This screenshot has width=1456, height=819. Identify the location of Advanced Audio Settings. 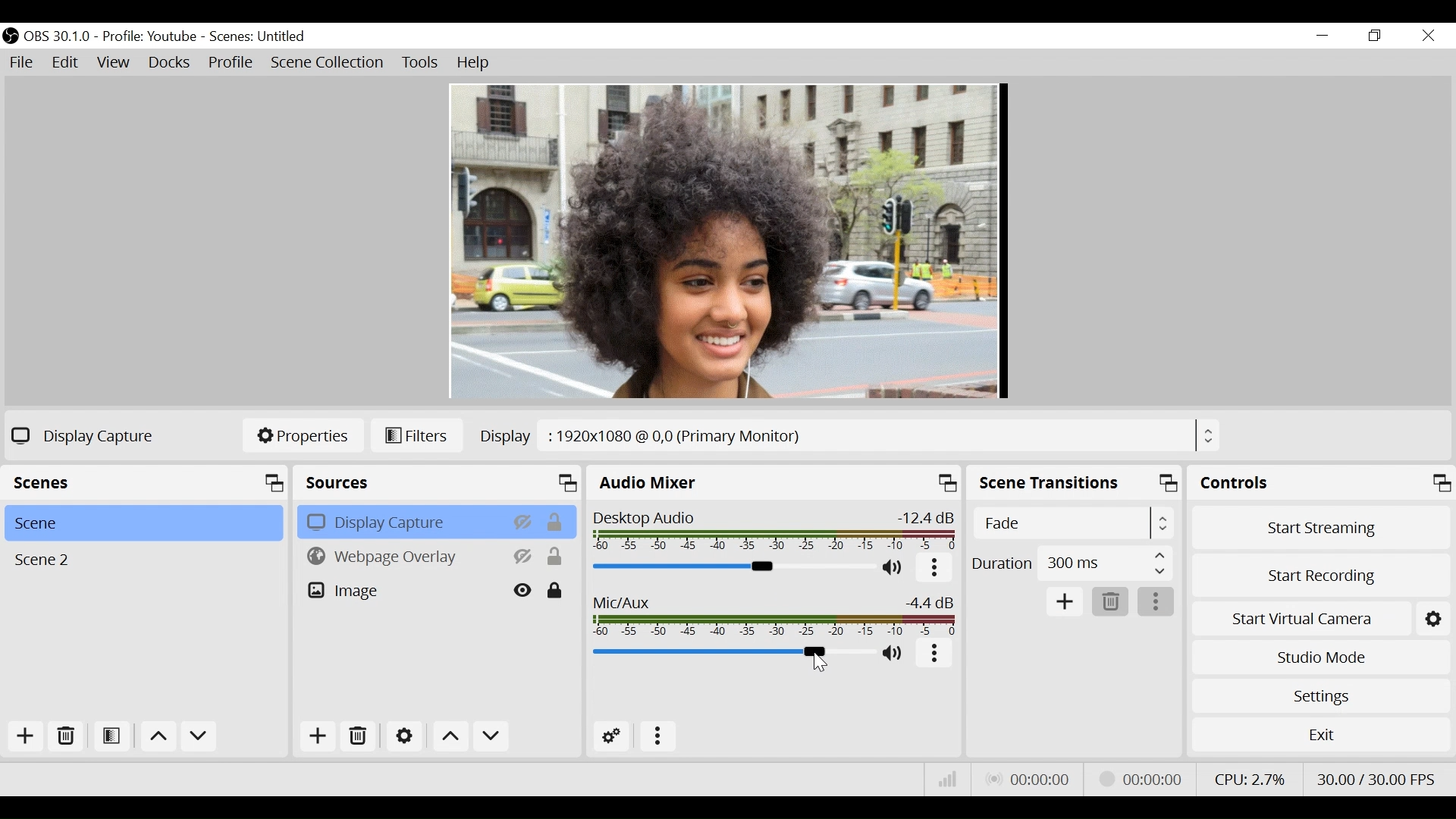
(613, 736).